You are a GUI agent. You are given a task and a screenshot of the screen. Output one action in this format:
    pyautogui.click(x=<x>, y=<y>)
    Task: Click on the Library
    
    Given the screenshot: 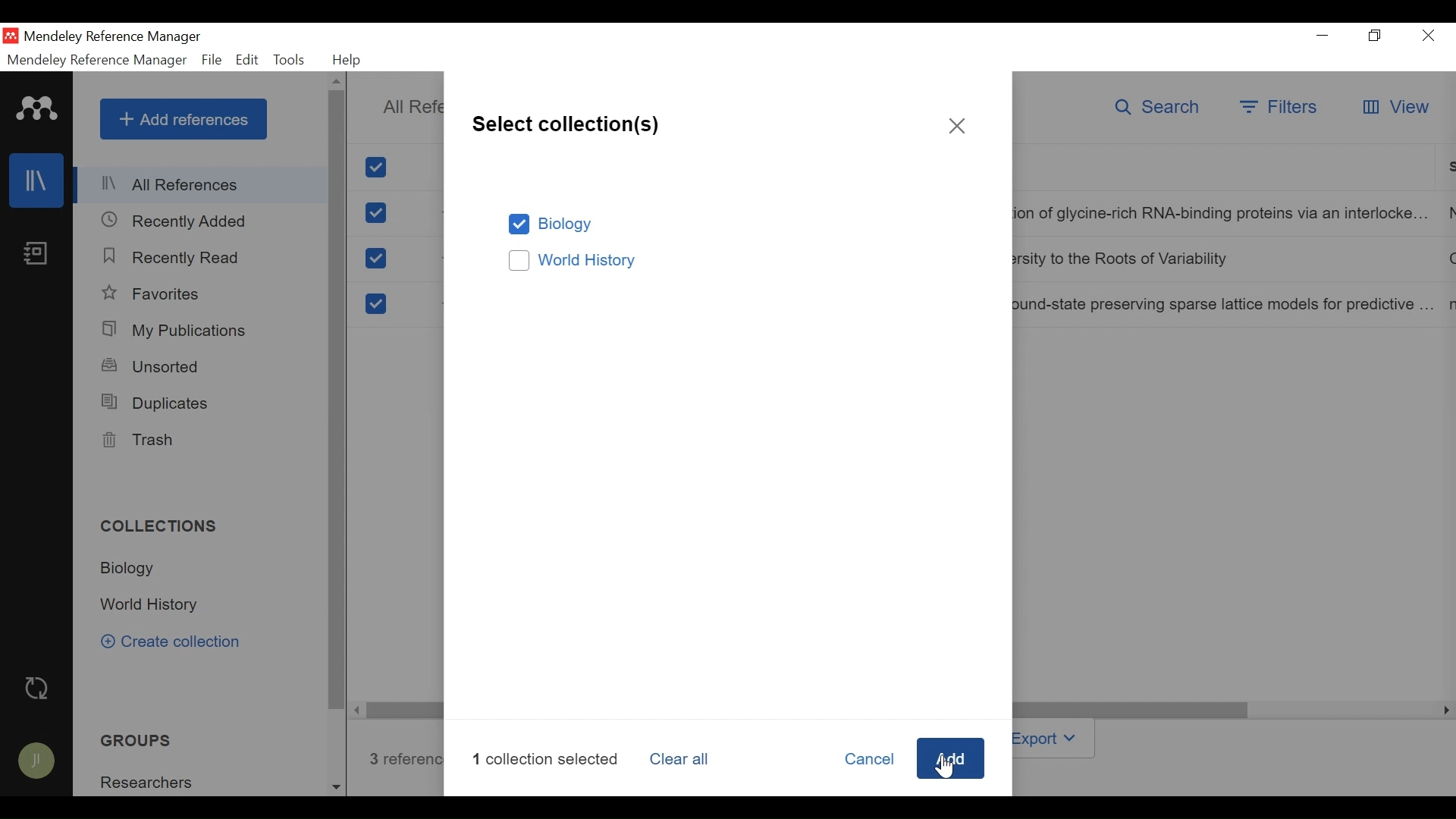 What is the action you would take?
    pyautogui.click(x=36, y=180)
    